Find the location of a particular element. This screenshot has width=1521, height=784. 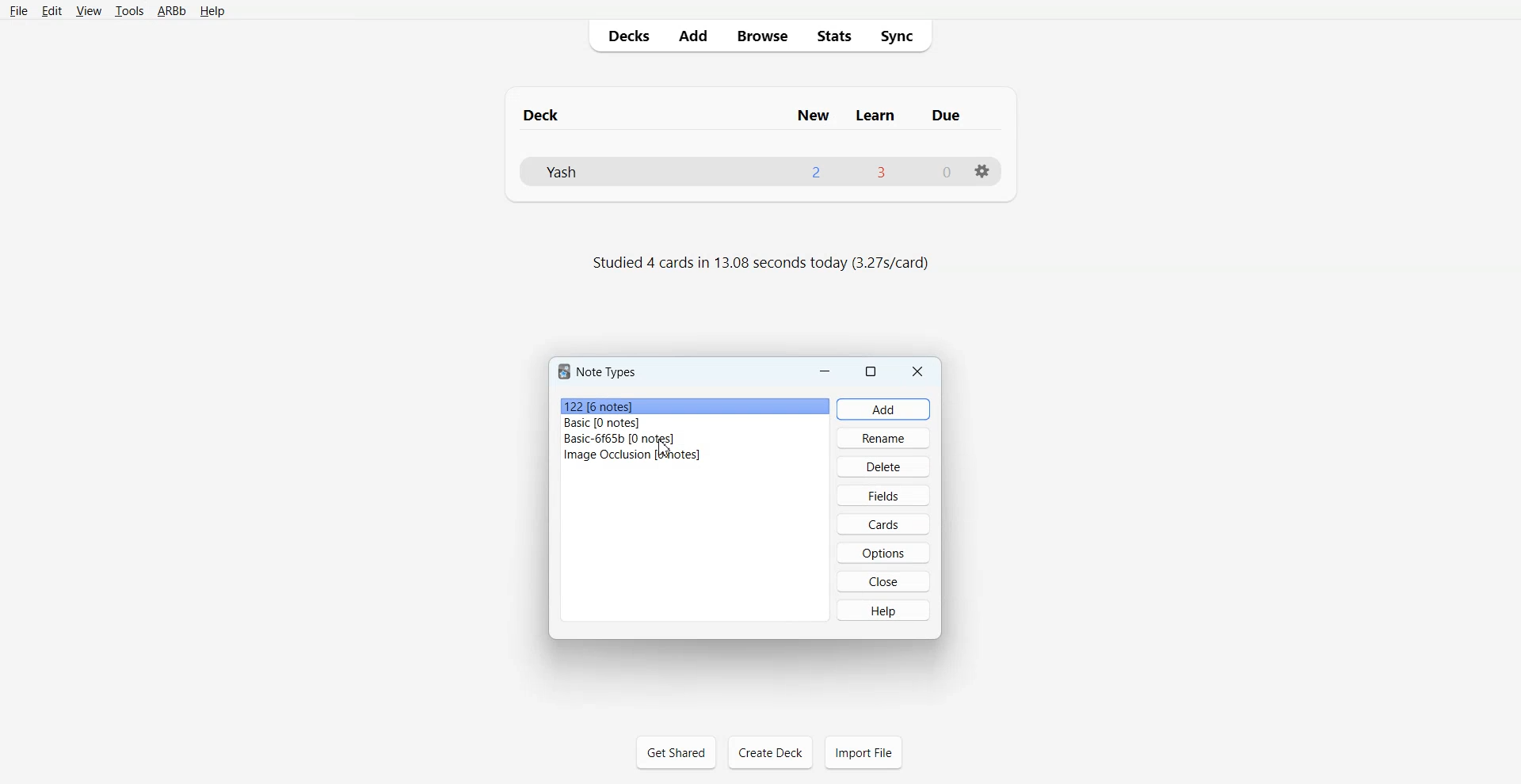

Add is located at coordinates (692, 36).